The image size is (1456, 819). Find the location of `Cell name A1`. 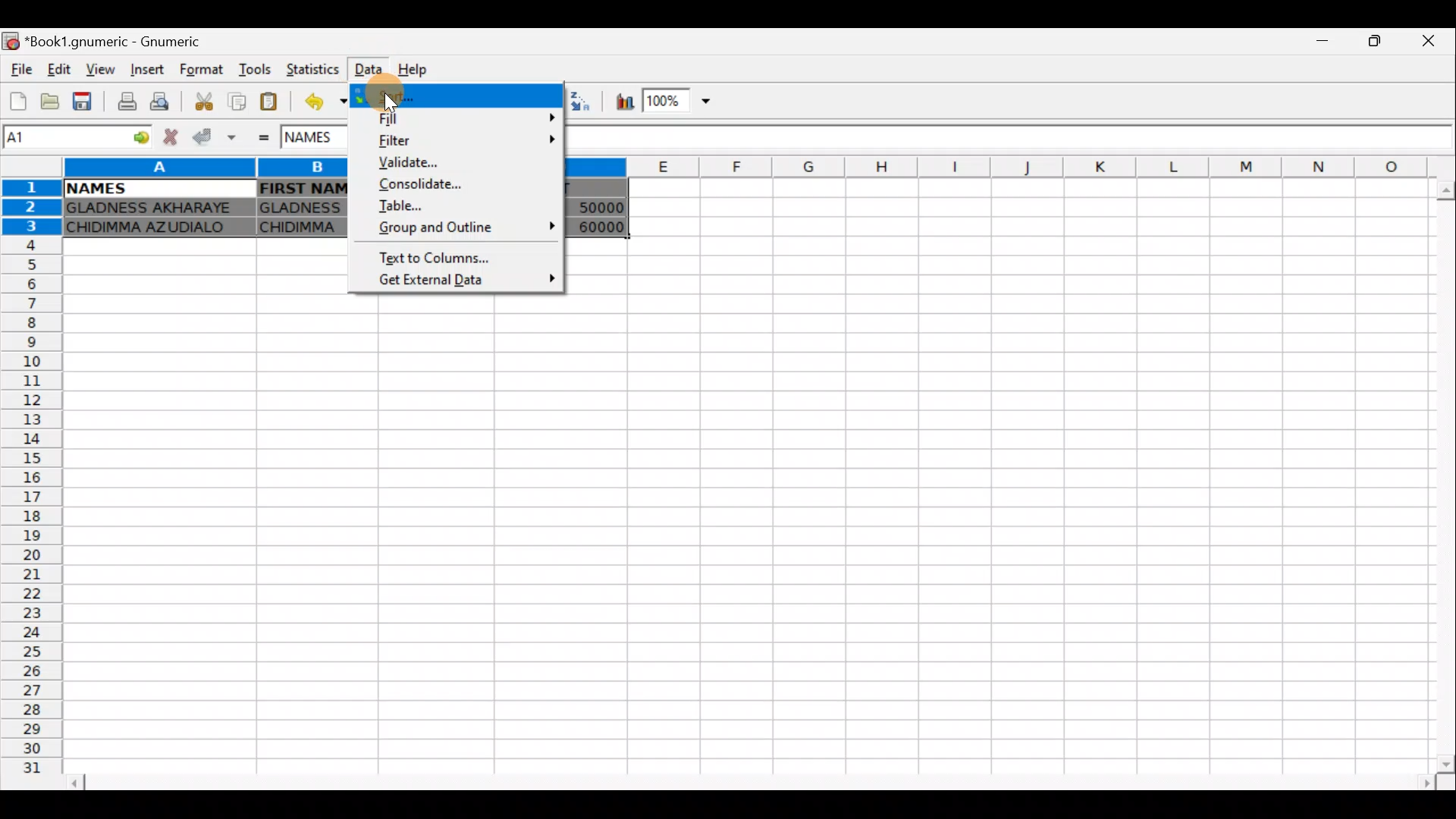

Cell name A1 is located at coordinates (60, 139).